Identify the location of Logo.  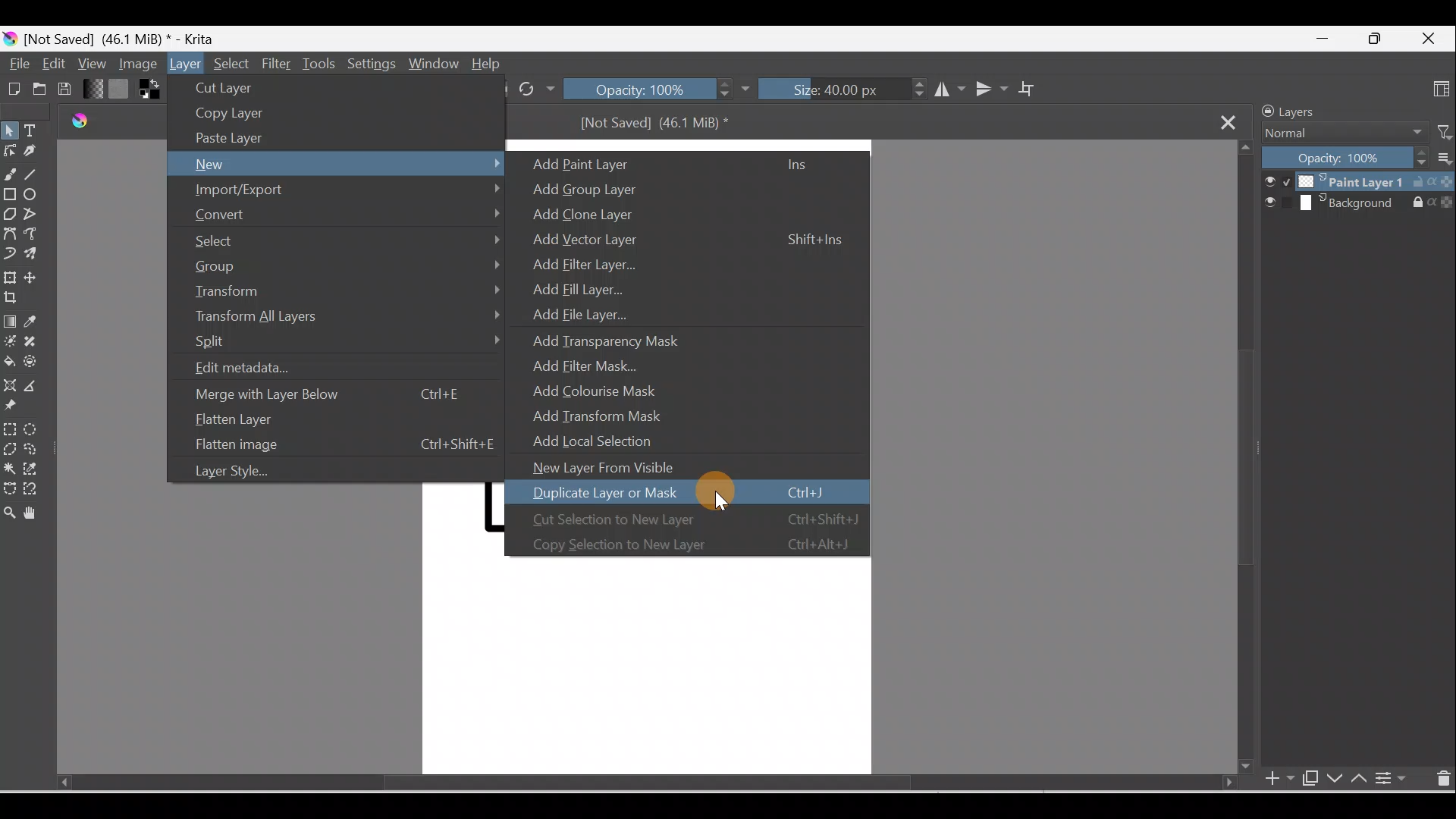
(75, 123).